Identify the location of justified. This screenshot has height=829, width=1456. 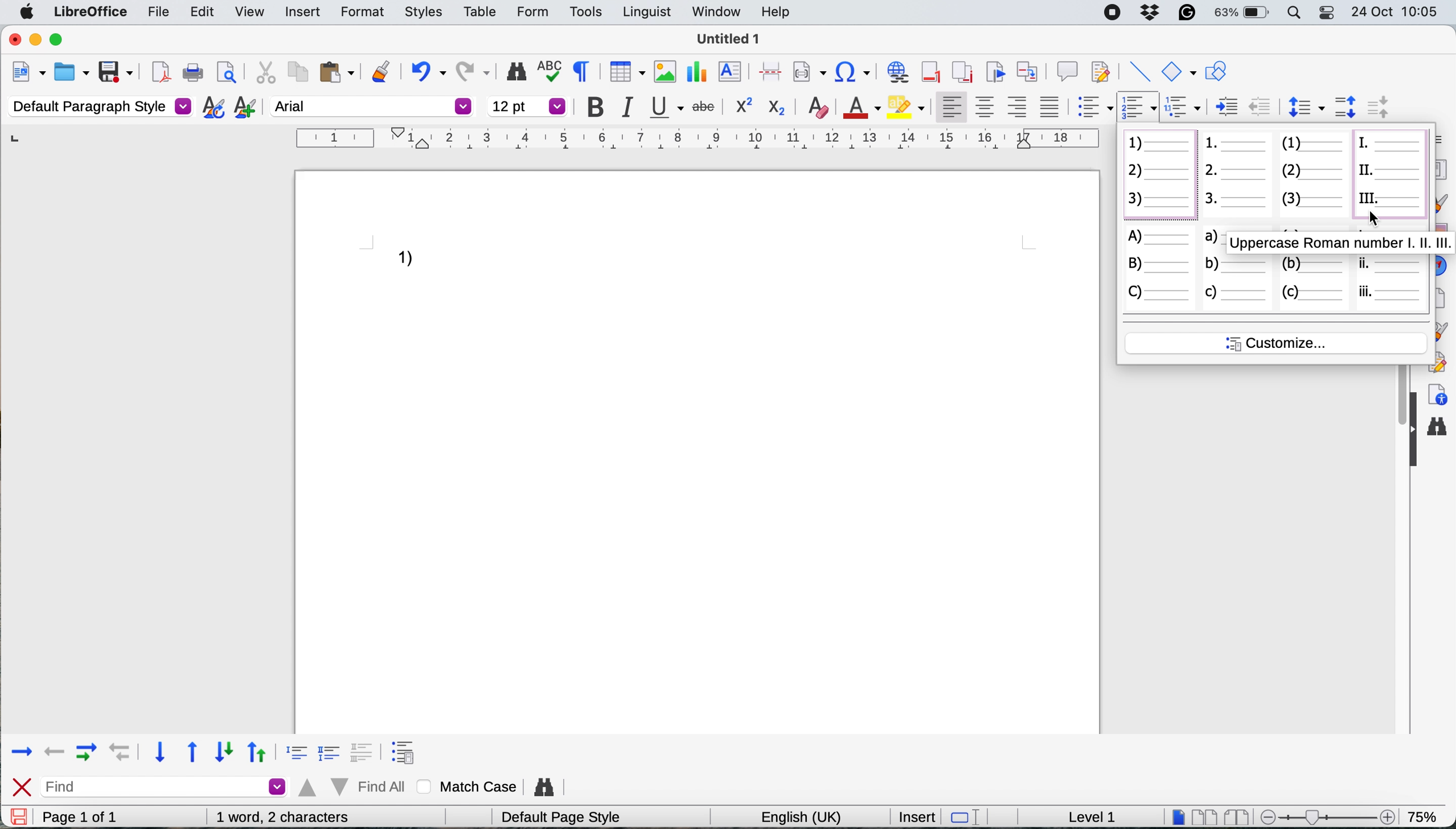
(1053, 106).